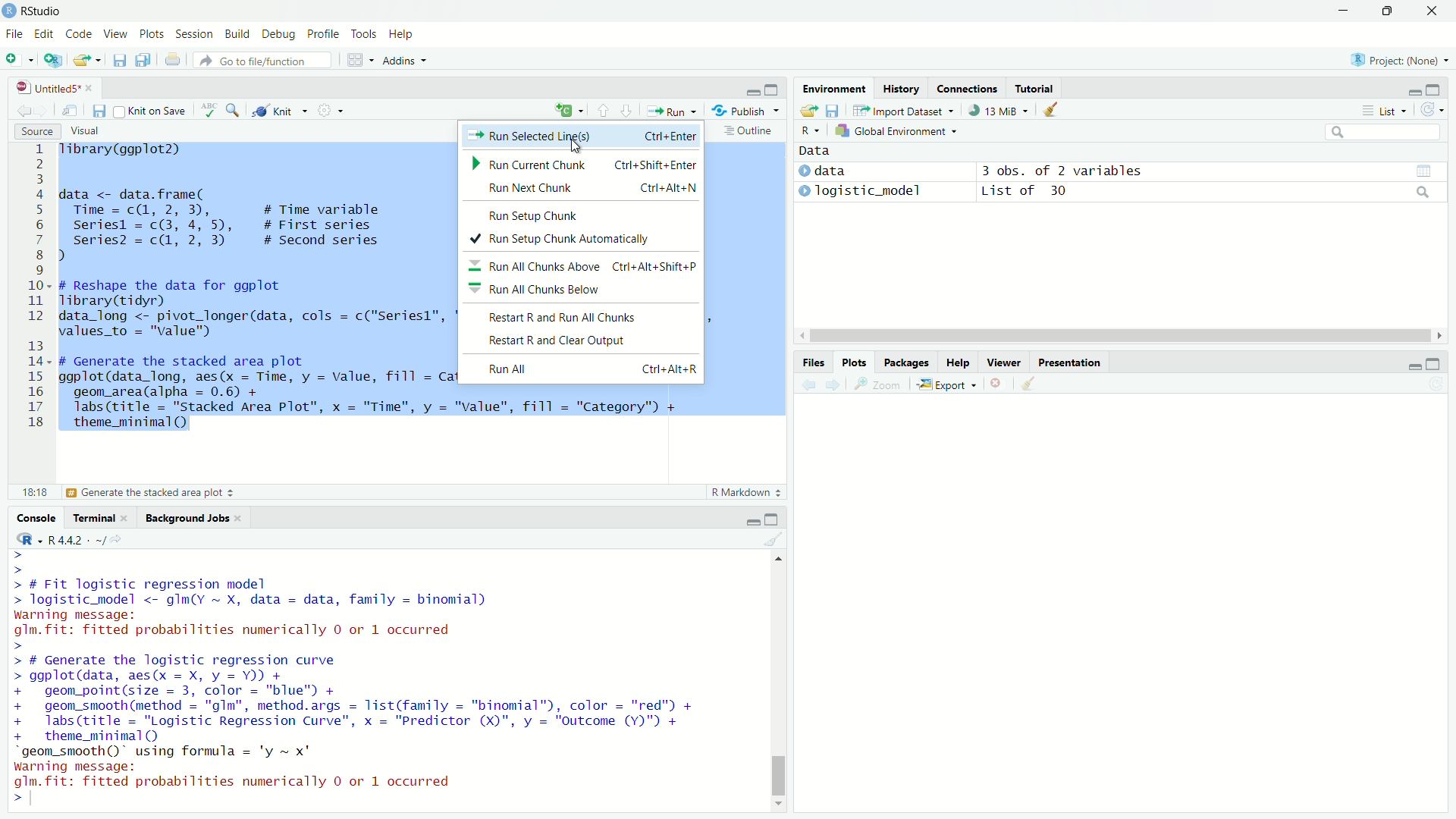  Describe the element at coordinates (594, 267) in the screenshot. I see `Run All Chunks Above  Ctrl+Alt+Shift+P` at that location.